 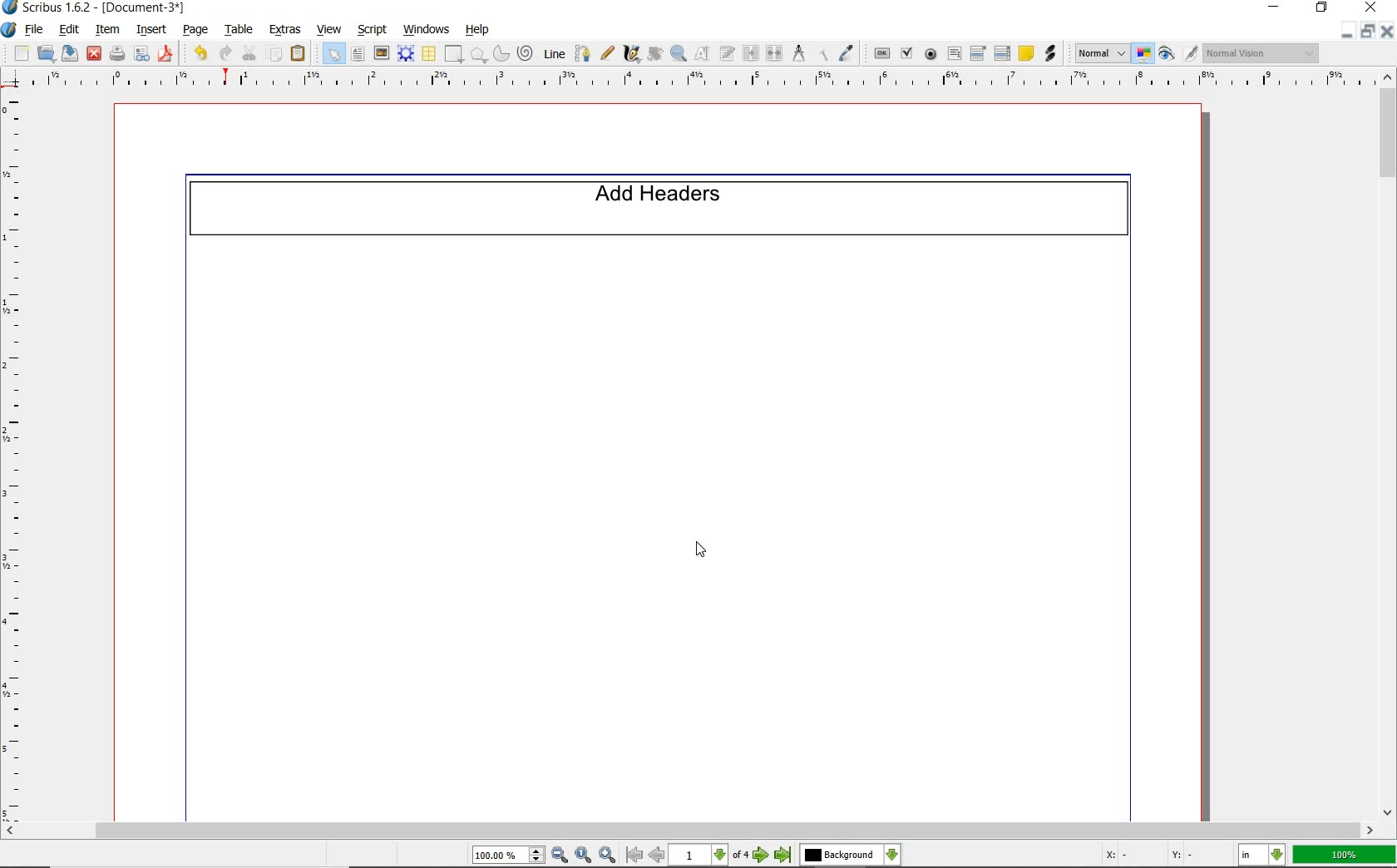 I want to click on shape, so click(x=454, y=54).